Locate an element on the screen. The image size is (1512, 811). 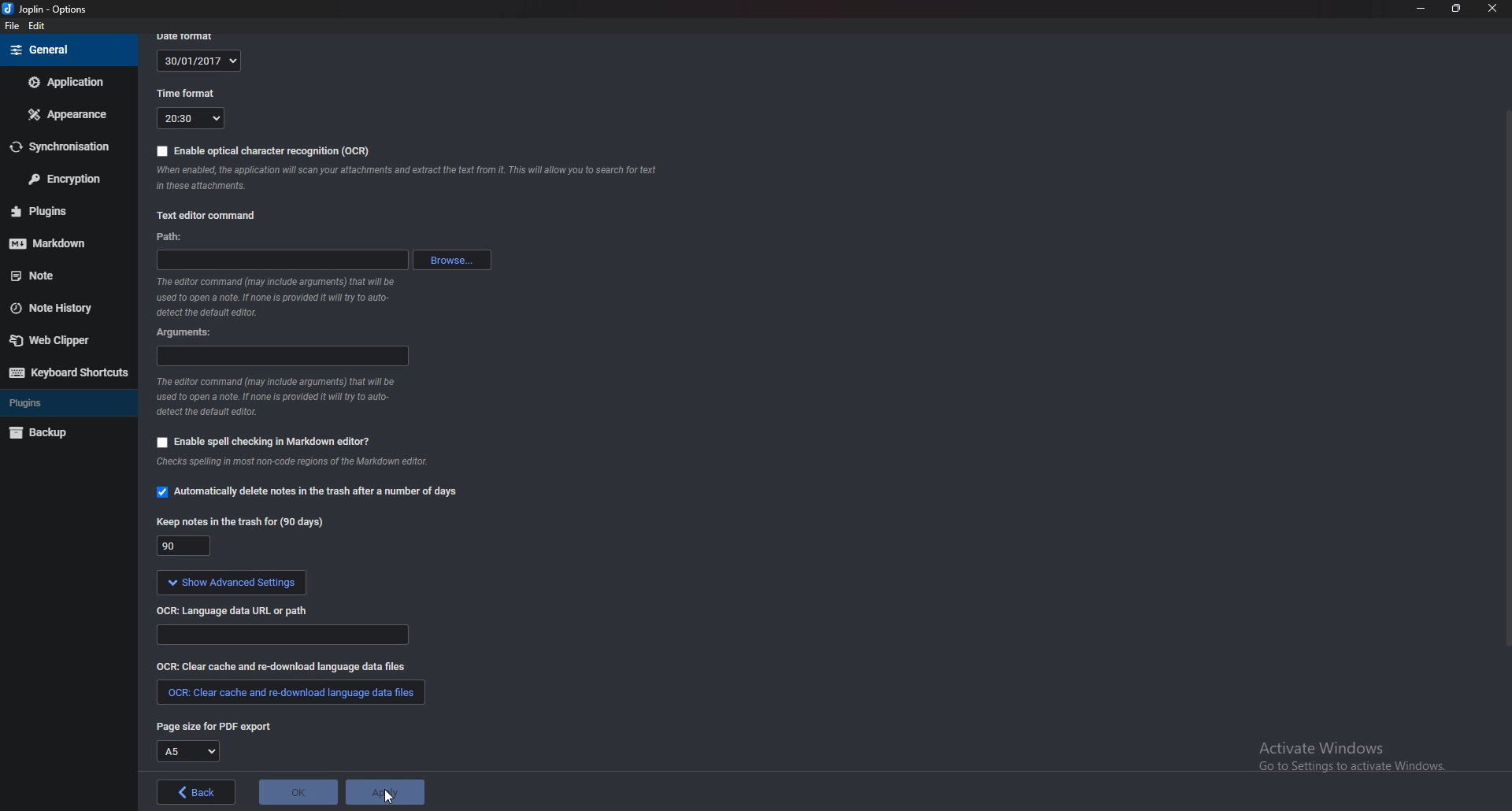
Application is located at coordinates (68, 82).